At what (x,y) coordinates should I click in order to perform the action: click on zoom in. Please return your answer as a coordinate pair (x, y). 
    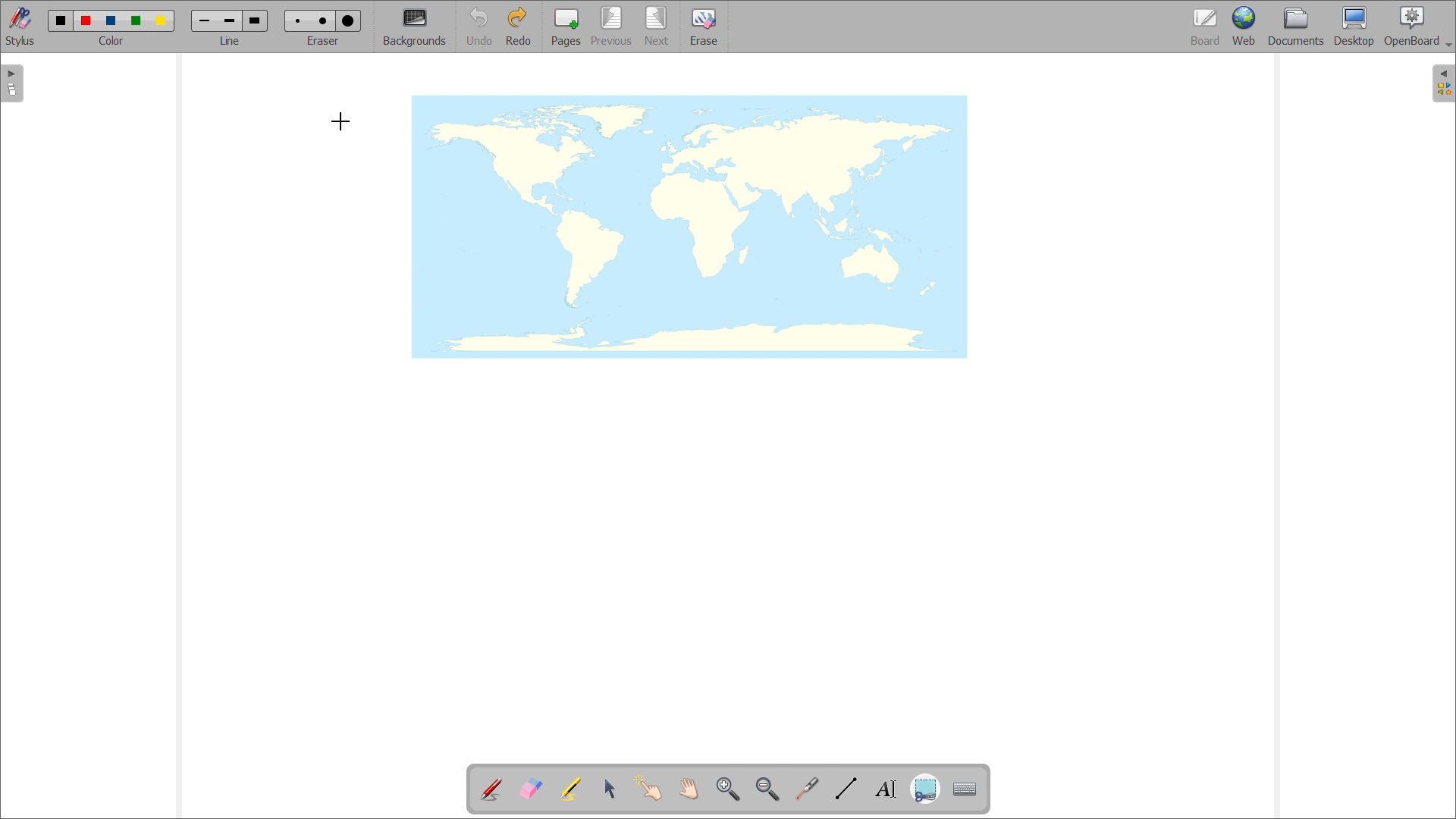
    Looking at the image, I should click on (728, 789).